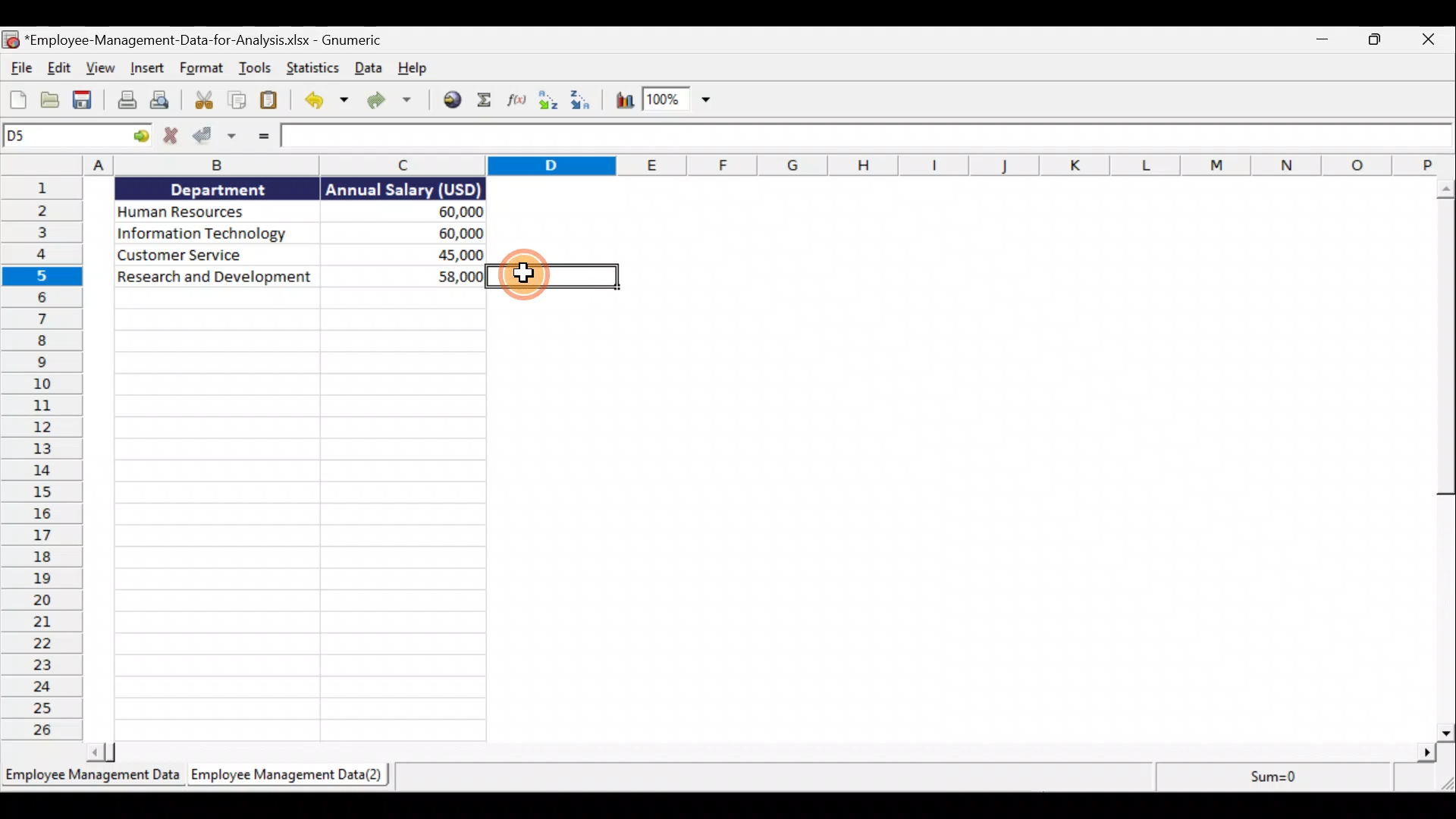  What do you see at coordinates (731, 166) in the screenshot?
I see `Columns` at bounding box center [731, 166].